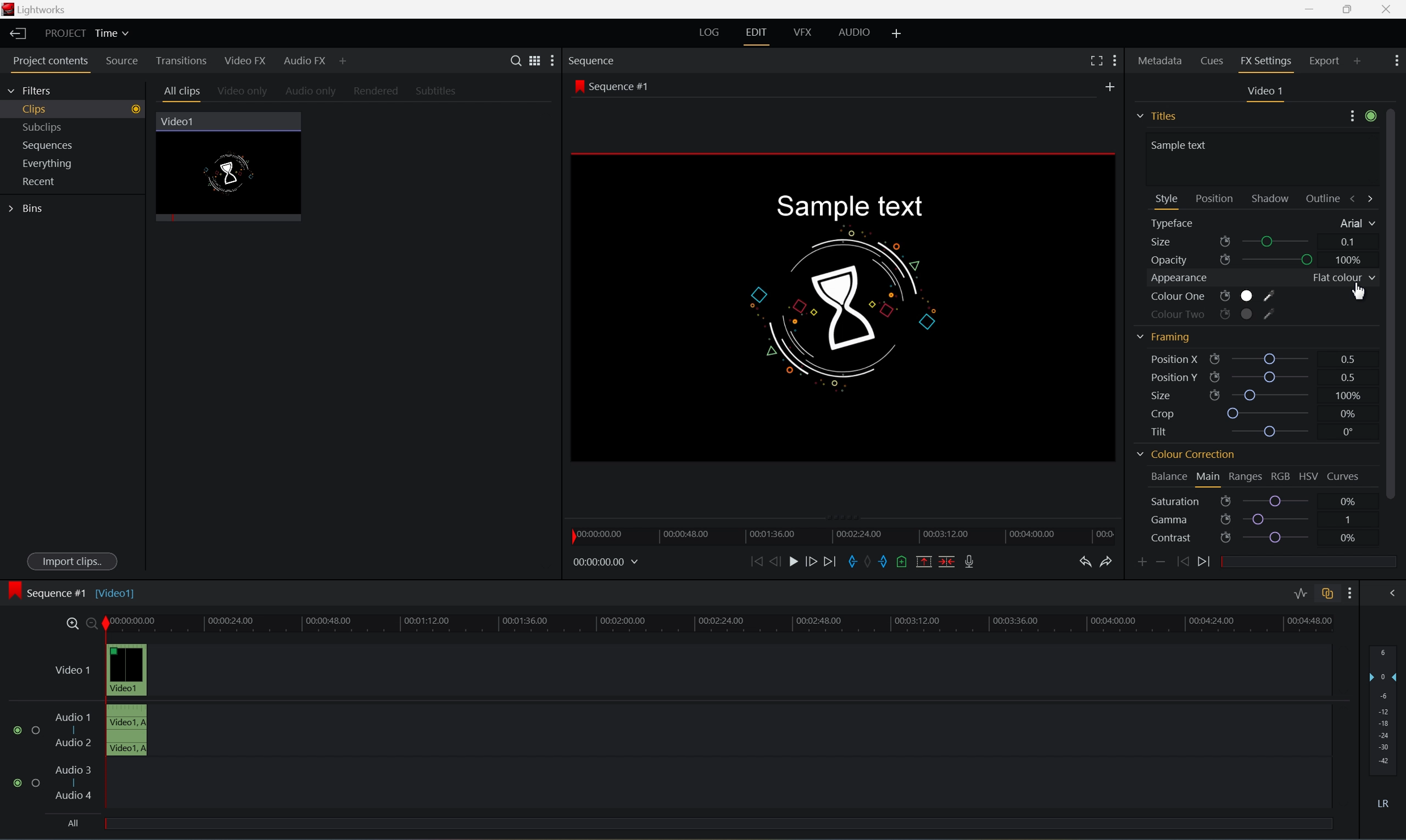  Describe the element at coordinates (181, 61) in the screenshot. I see `Transitions` at that location.